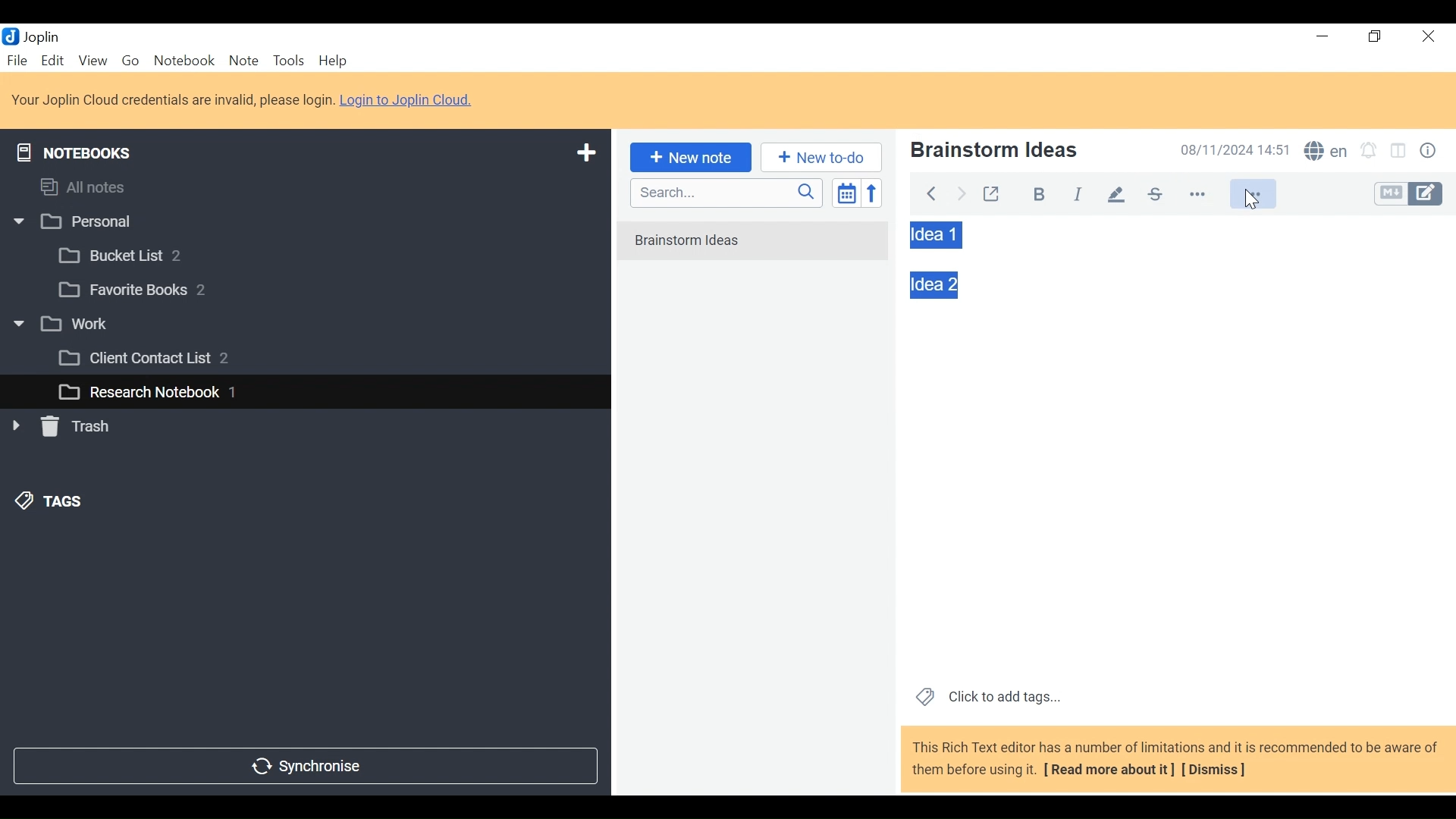  Describe the element at coordinates (1376, 37) in the screenshot. I see `Restore` at that location.